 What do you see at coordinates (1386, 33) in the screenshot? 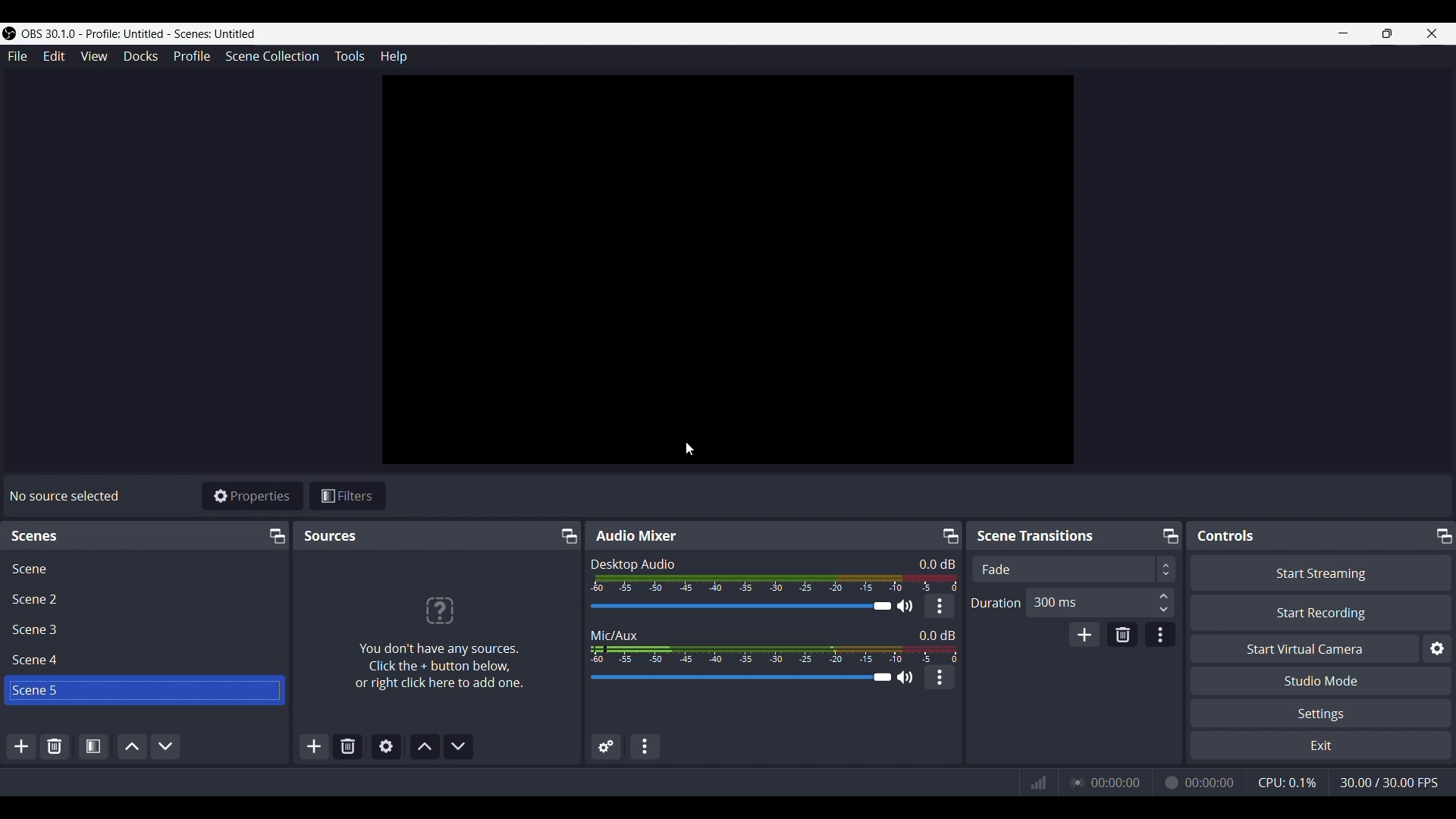
I see `Maximize` at bounding box center [1386, 33].